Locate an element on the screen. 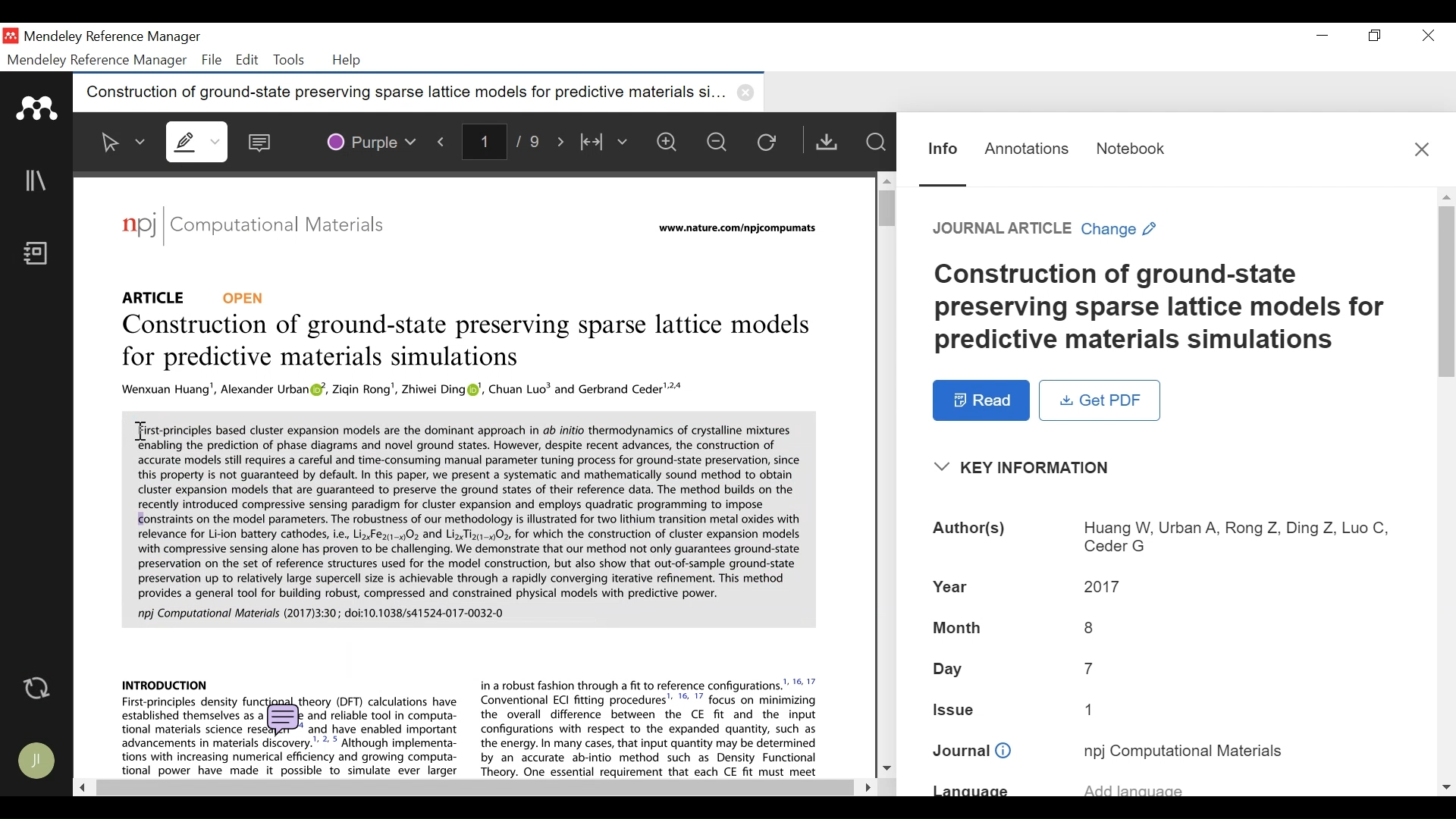  Highlights is located at coordinates (195, 140).